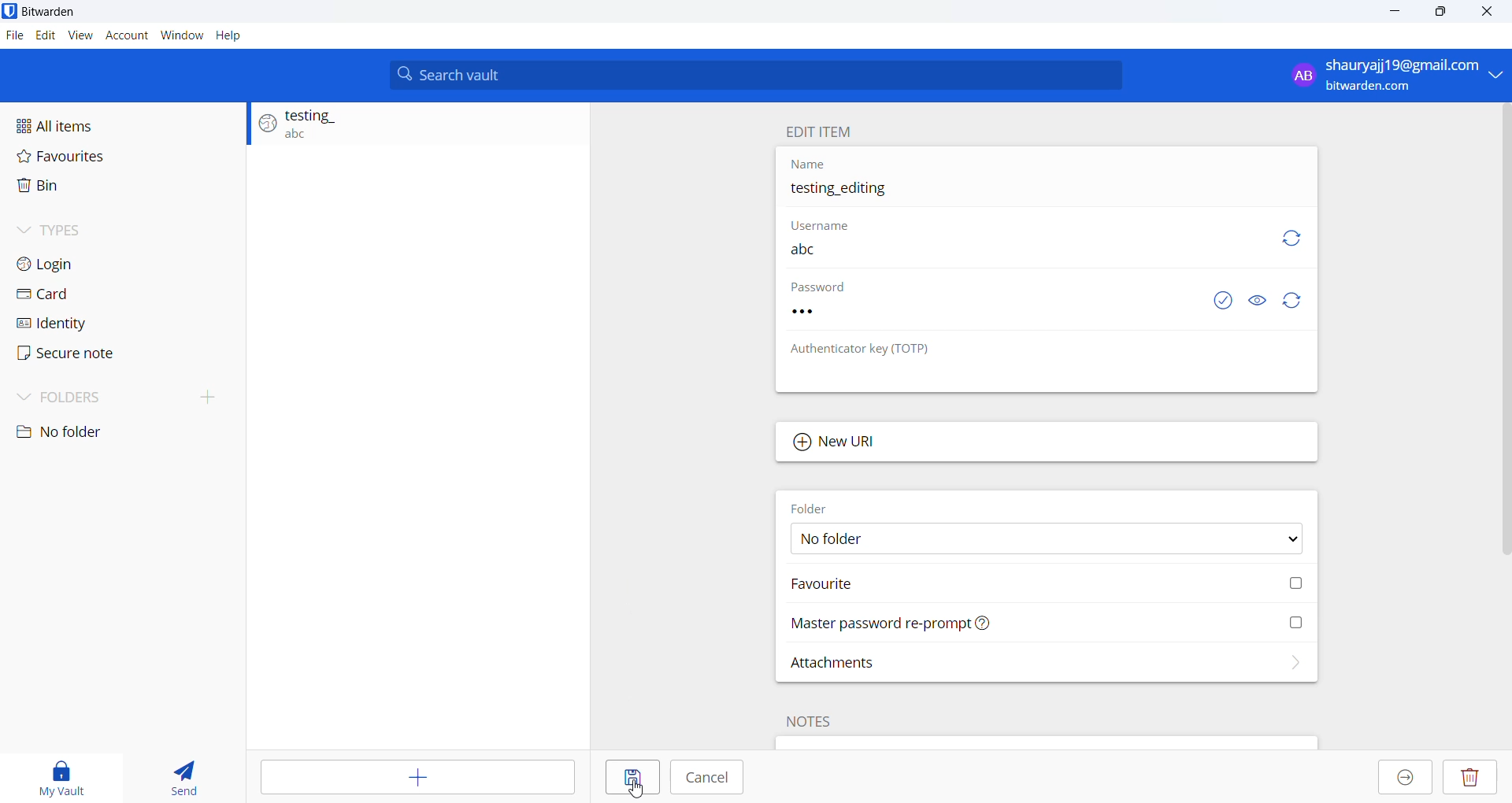 The height and width of the screenshot is (803, 1512). What do you see at coordinates (1258, 303) in the screenshot?
I see `Visibility` at bounding box center [1258, 303].